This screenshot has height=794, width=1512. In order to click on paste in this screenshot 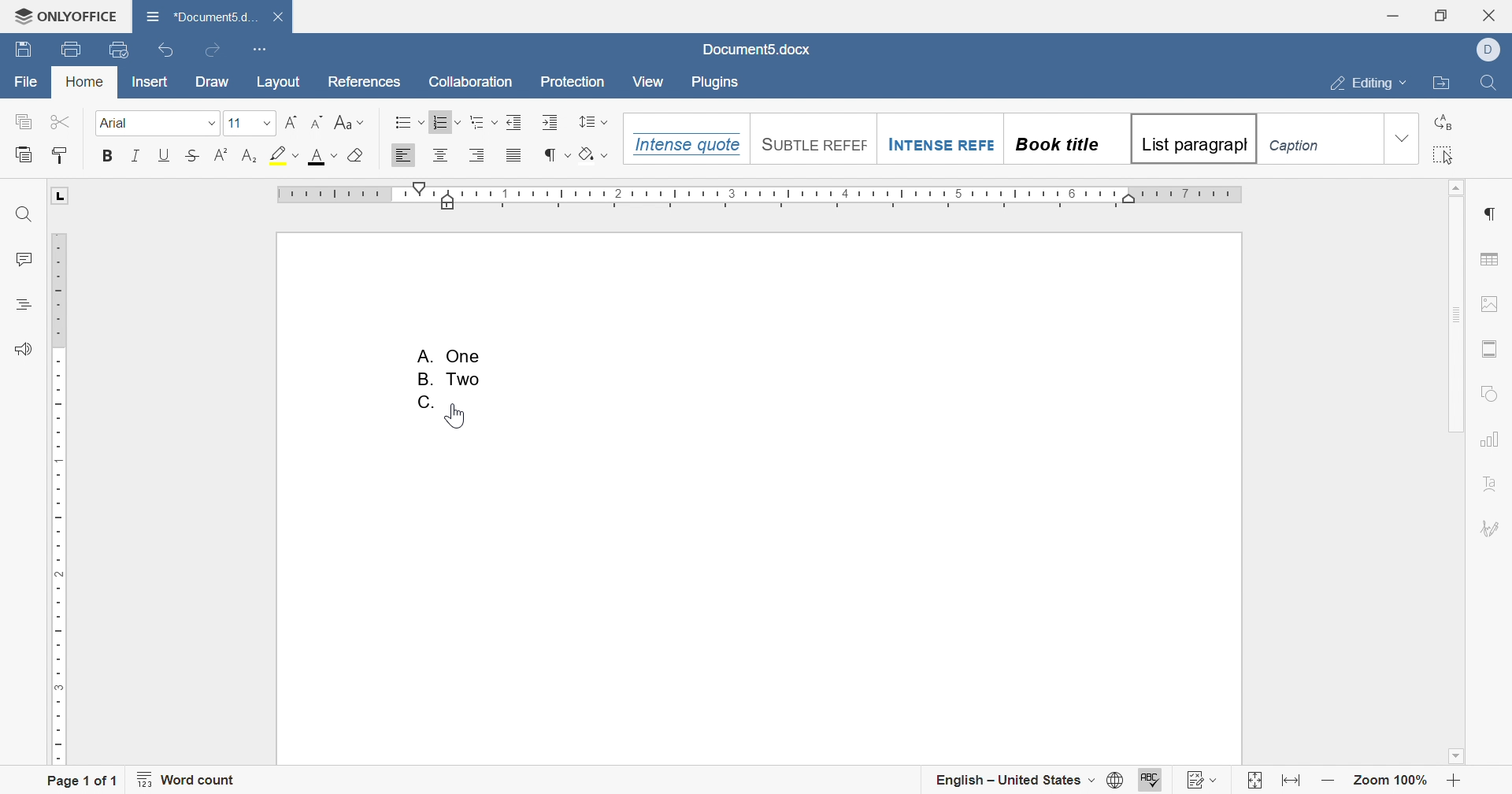, I will do `click(23, 153)`.